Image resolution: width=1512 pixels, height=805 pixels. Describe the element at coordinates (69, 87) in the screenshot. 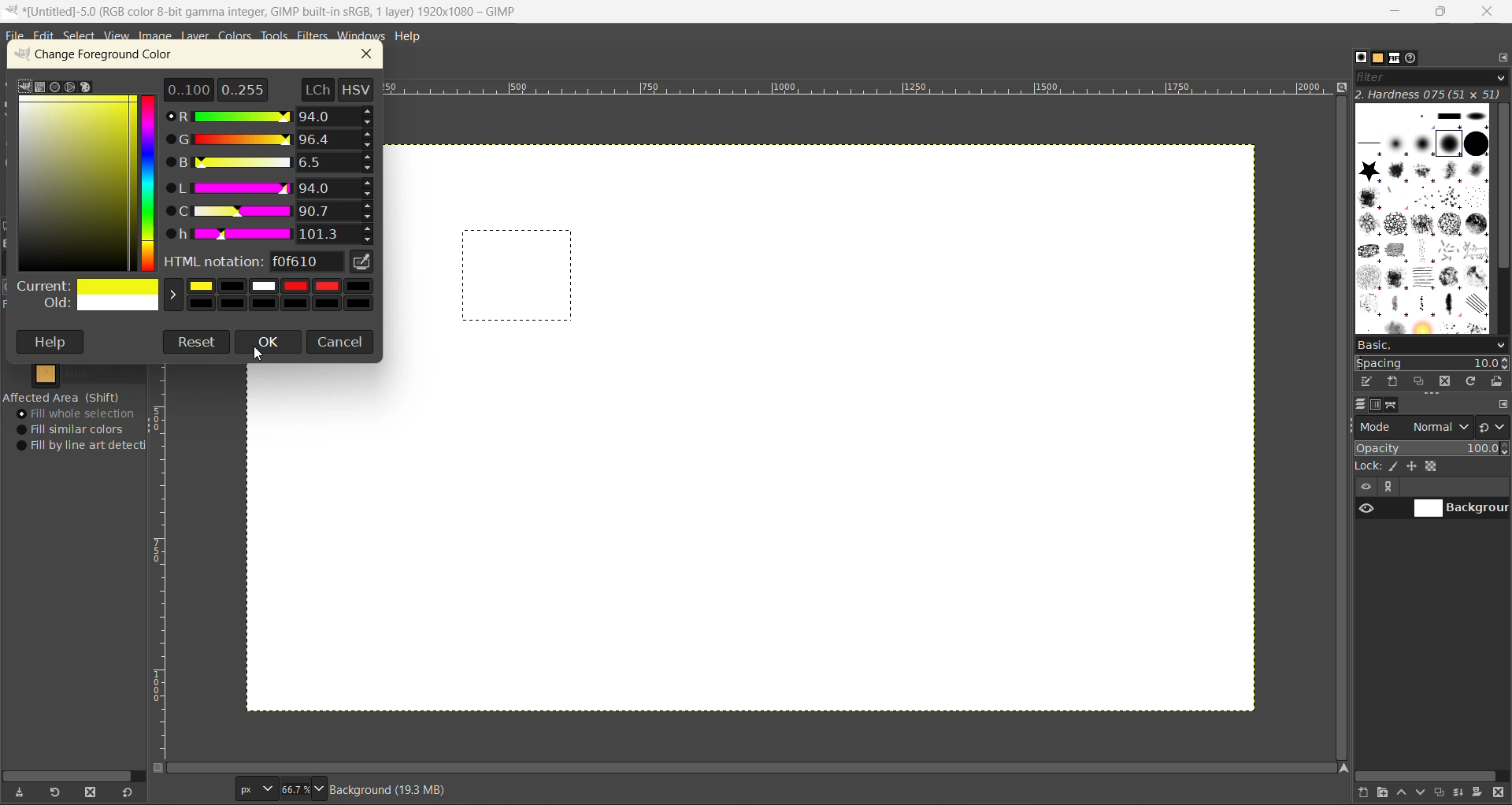

I see `wheel` at that location.